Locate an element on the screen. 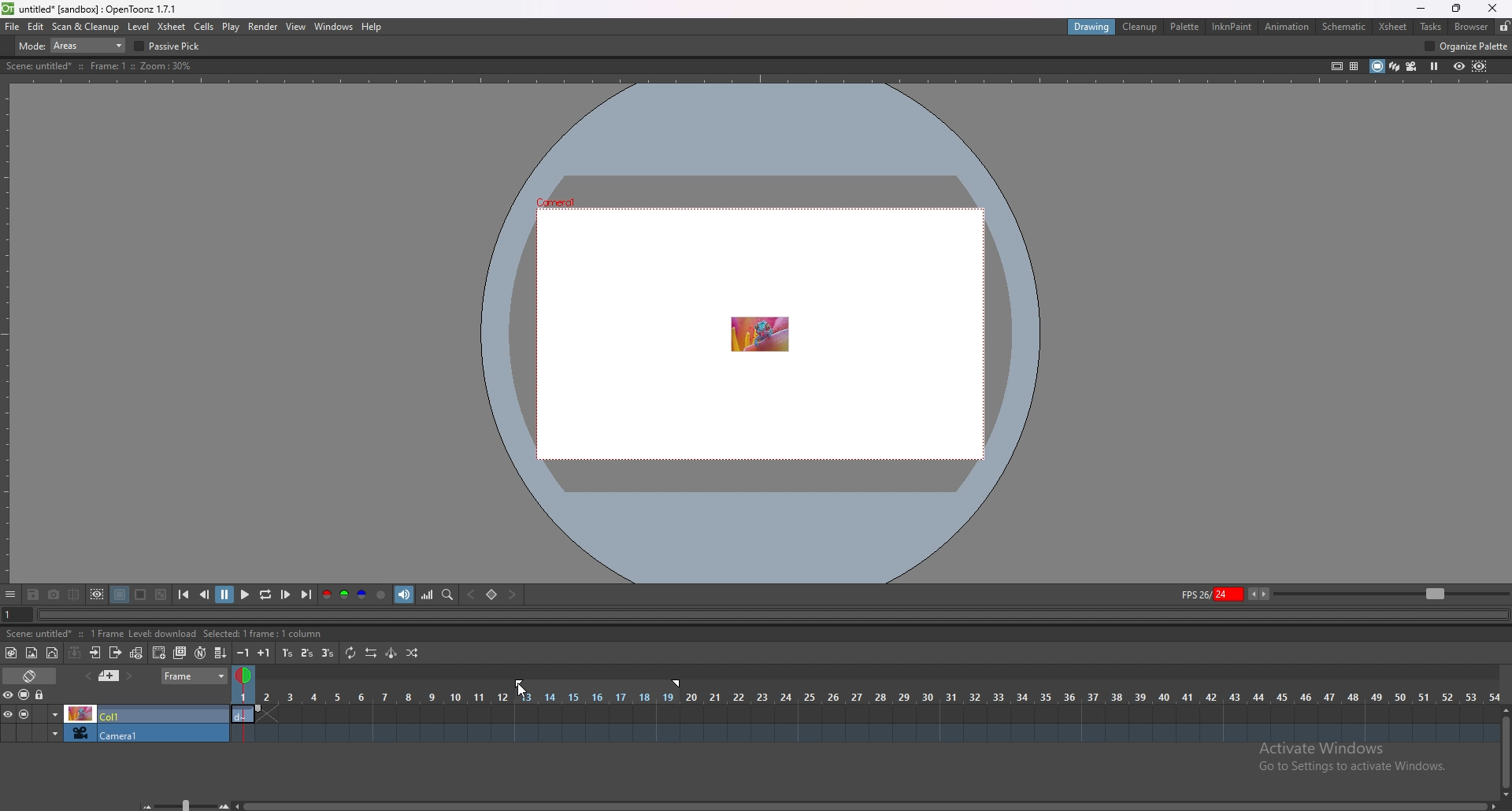 The height and width of the screenshot is (811, 1512). compare to snapshot is located at coordinates (74, 594).